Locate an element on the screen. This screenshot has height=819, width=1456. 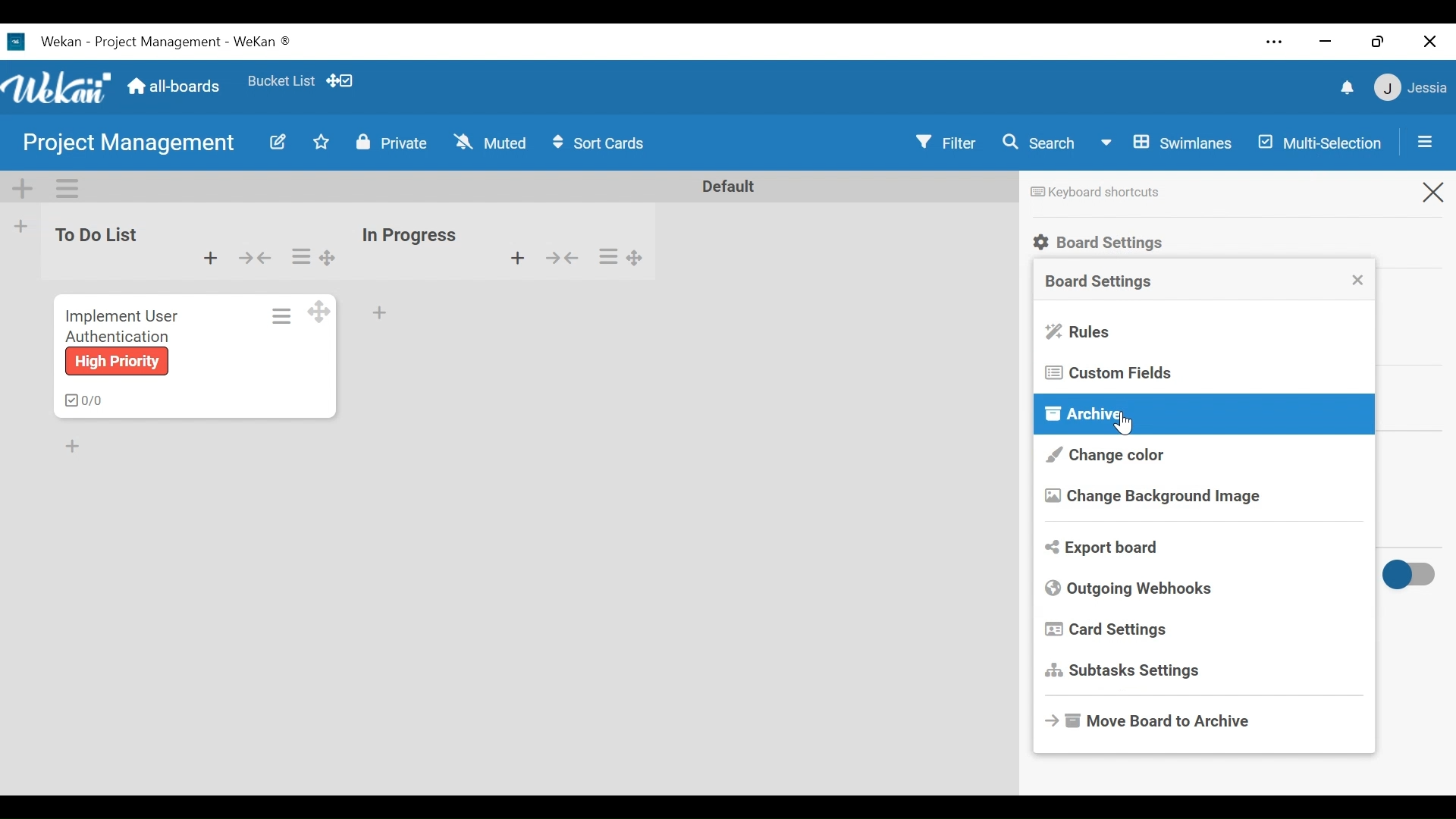
Collapse is located at coordinates (255, 258).